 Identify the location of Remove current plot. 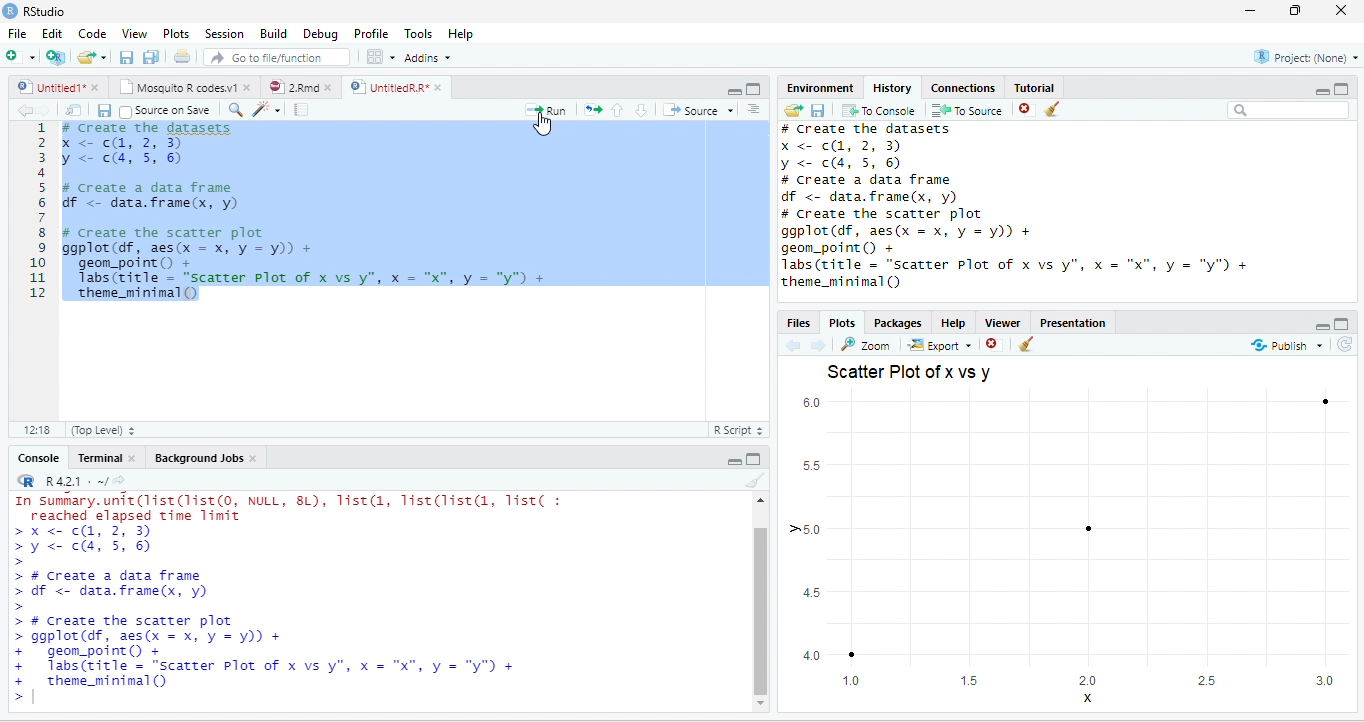
(993, 345).